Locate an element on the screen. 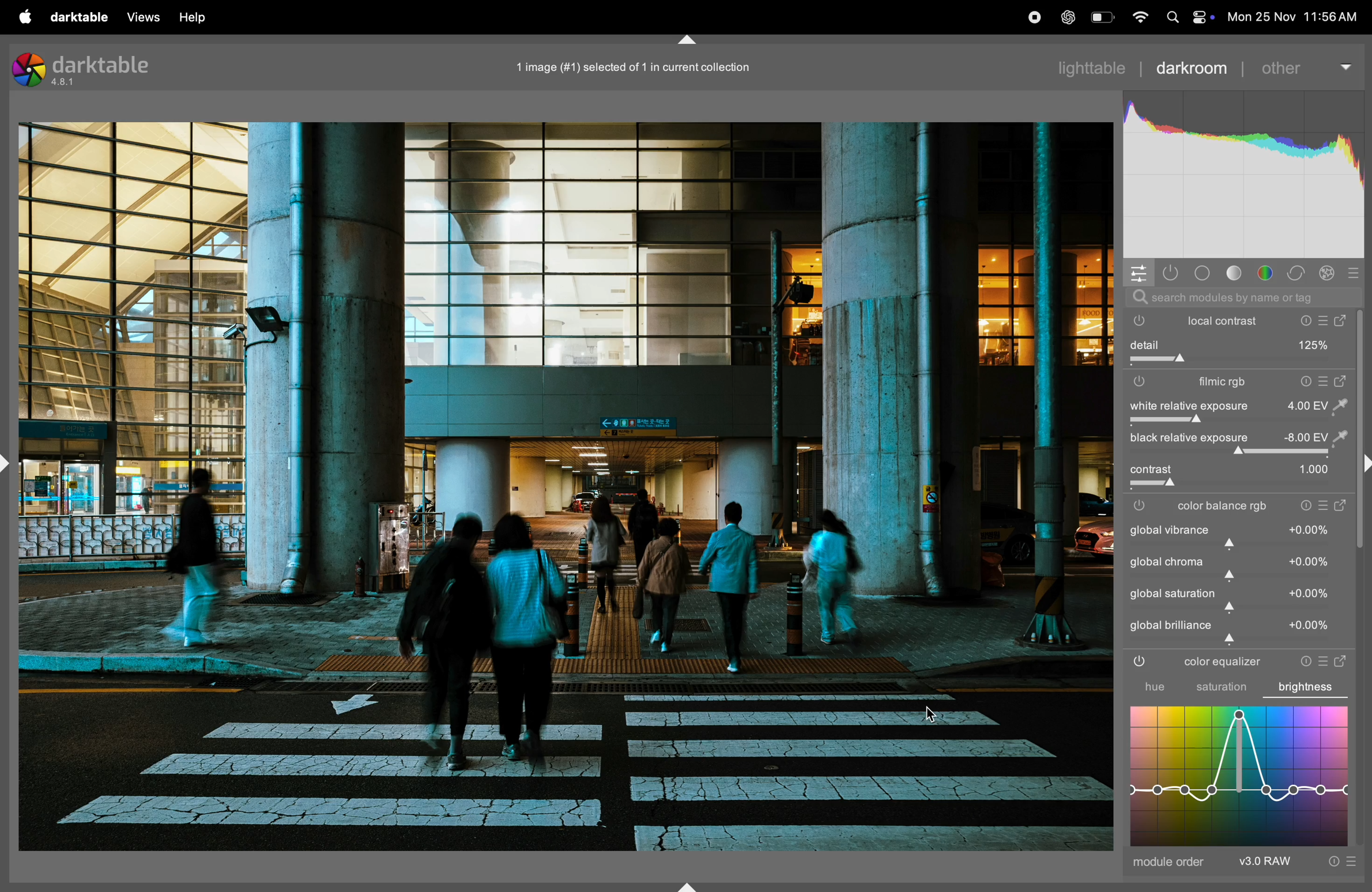  color equalizer is on is located at coordinates (1140, 663).